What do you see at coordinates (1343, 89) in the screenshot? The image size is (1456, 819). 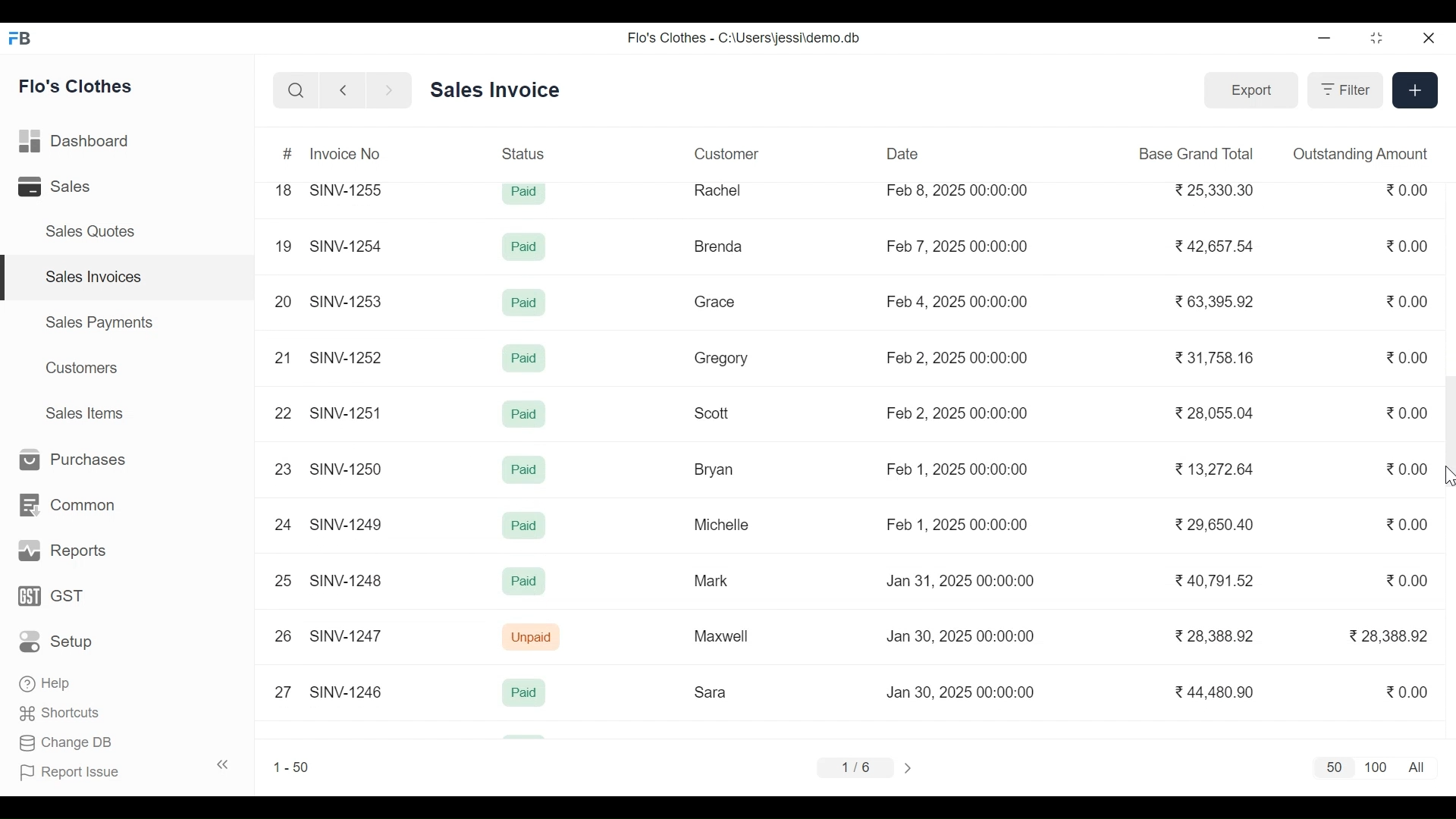 I see `Filter` at bounding box center [1343, 89].